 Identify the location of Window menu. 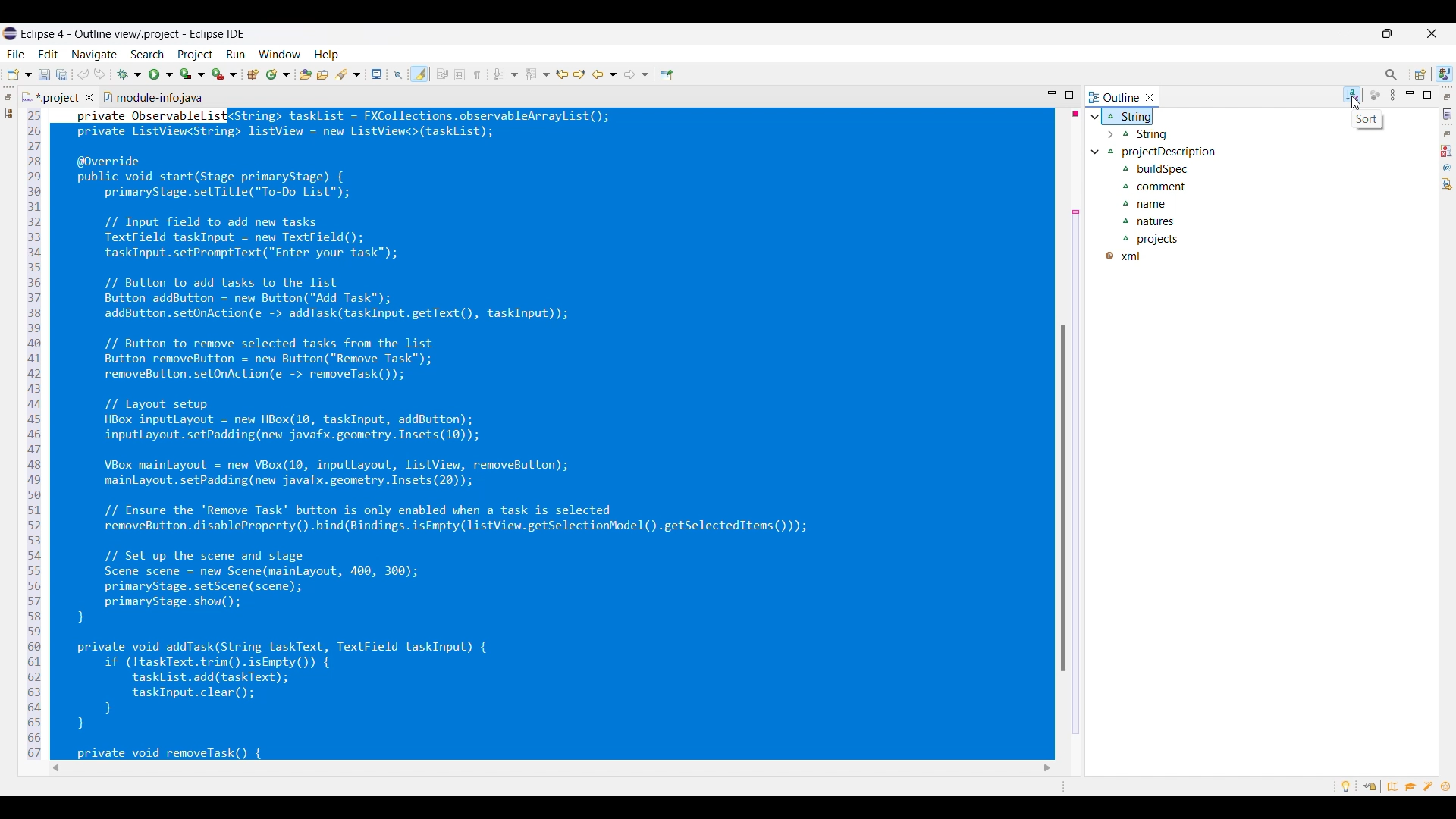
(280, 54).